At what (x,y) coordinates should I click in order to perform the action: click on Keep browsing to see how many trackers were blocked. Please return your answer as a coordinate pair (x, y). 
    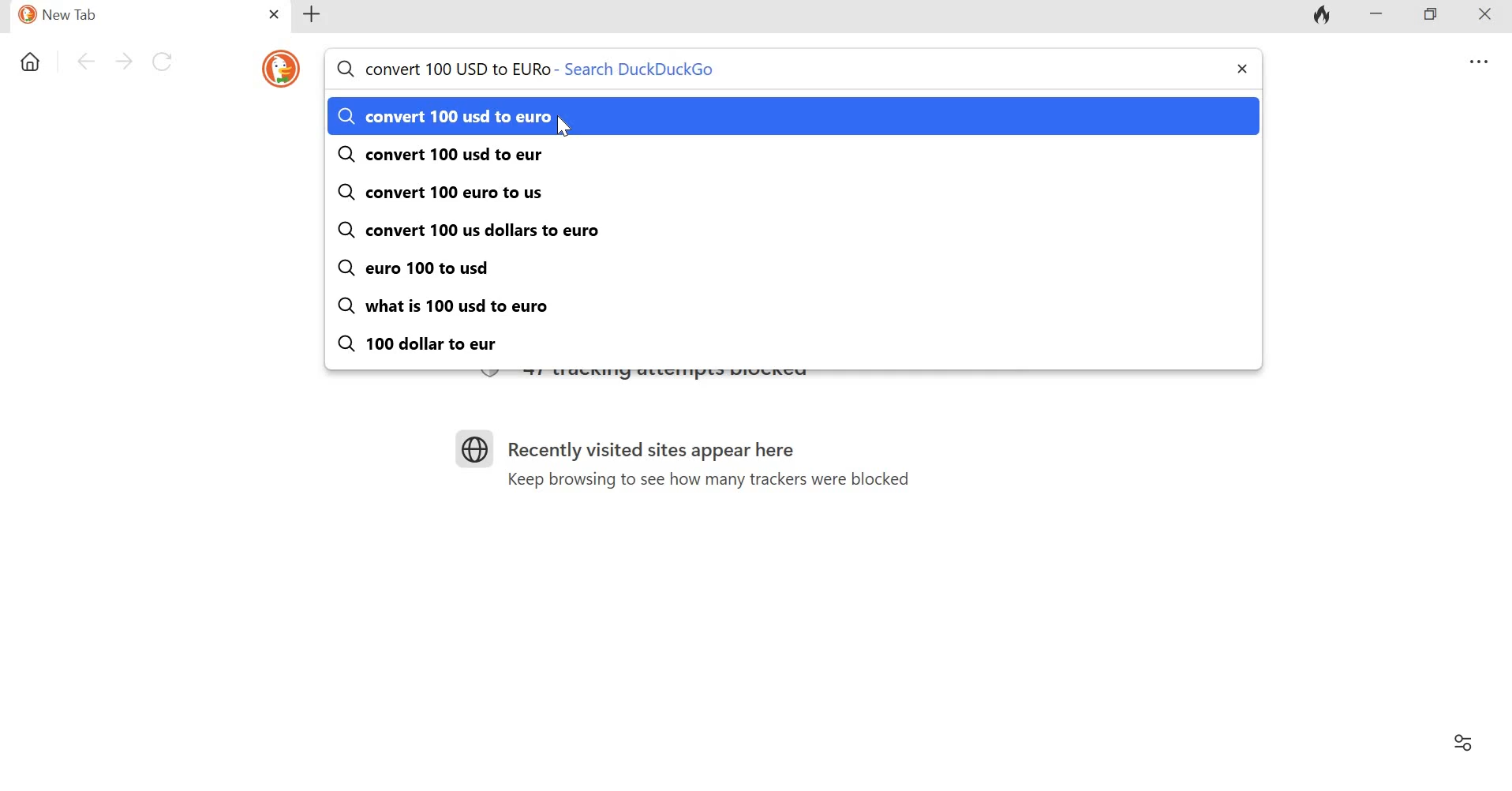
    Looking at the image, I should click on (700, 481).